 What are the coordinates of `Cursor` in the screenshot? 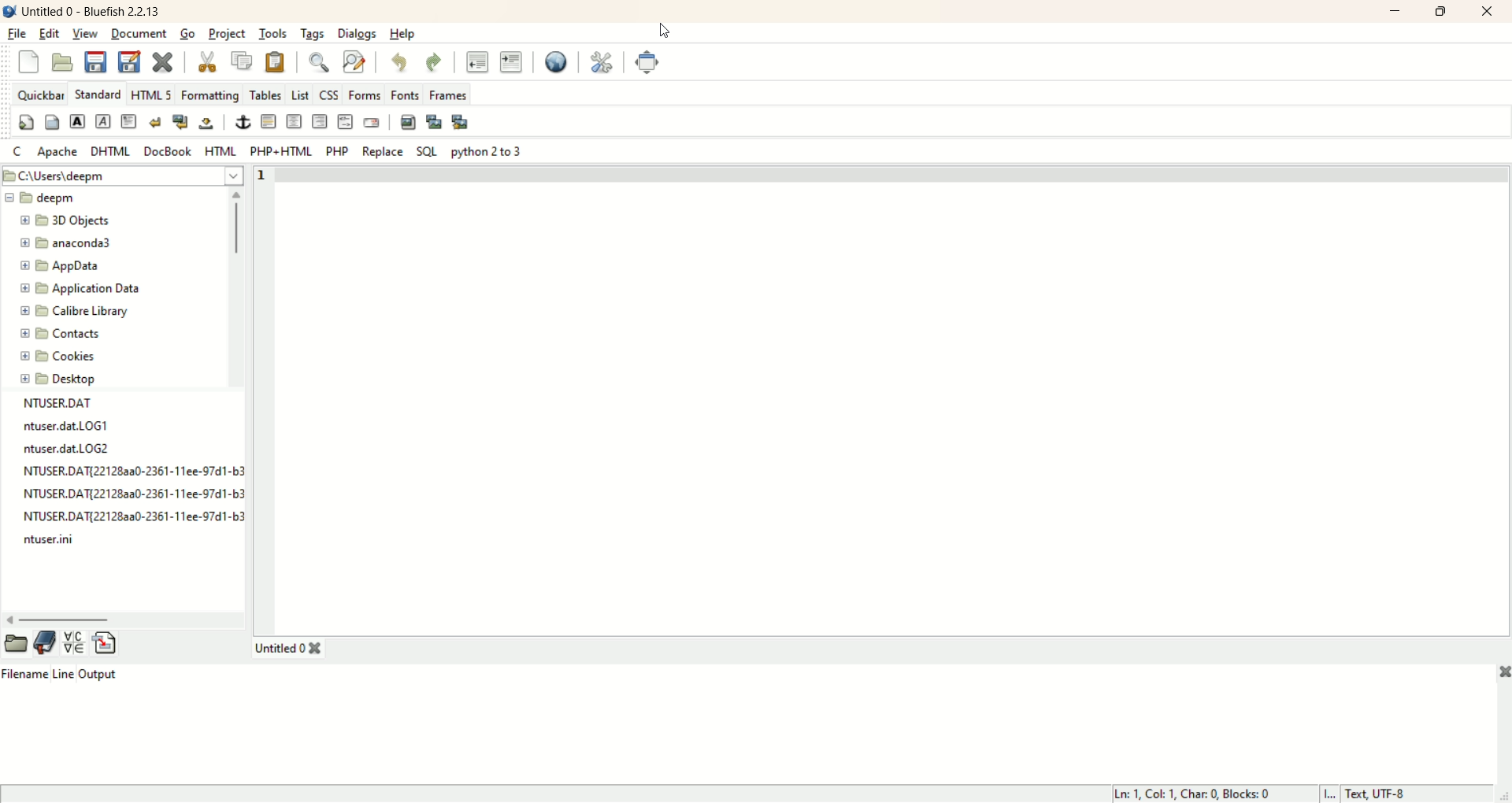 It's located at (661, 32).